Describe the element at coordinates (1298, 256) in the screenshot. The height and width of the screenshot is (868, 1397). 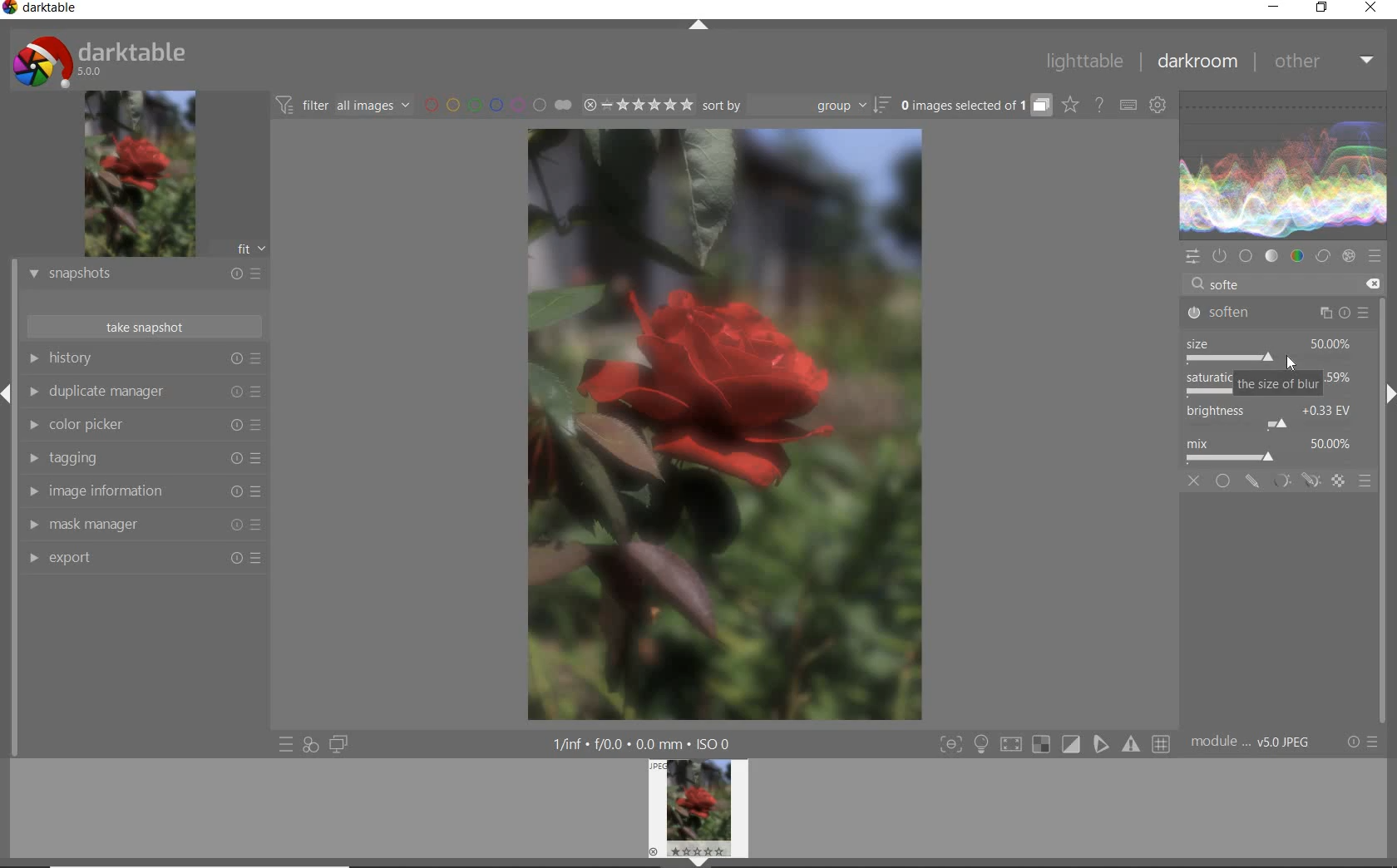
I see `color` at that location.